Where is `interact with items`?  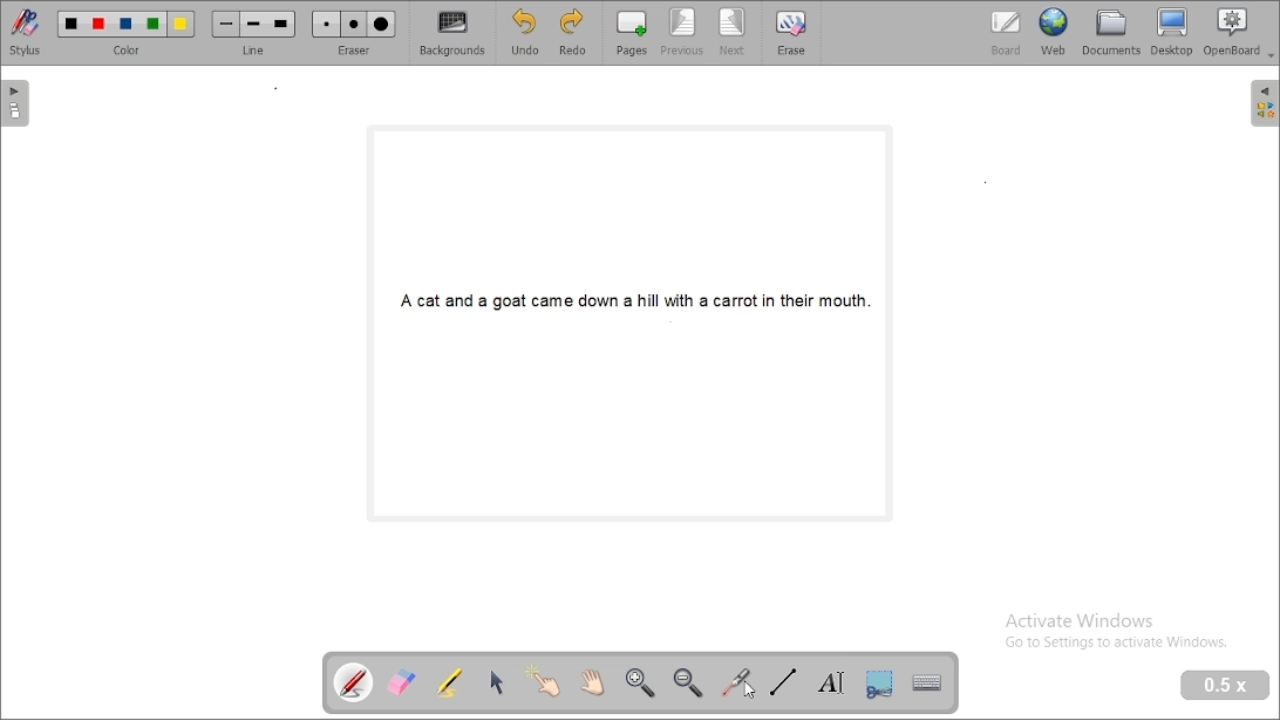
interact with items is located at coordinates (542, 680).